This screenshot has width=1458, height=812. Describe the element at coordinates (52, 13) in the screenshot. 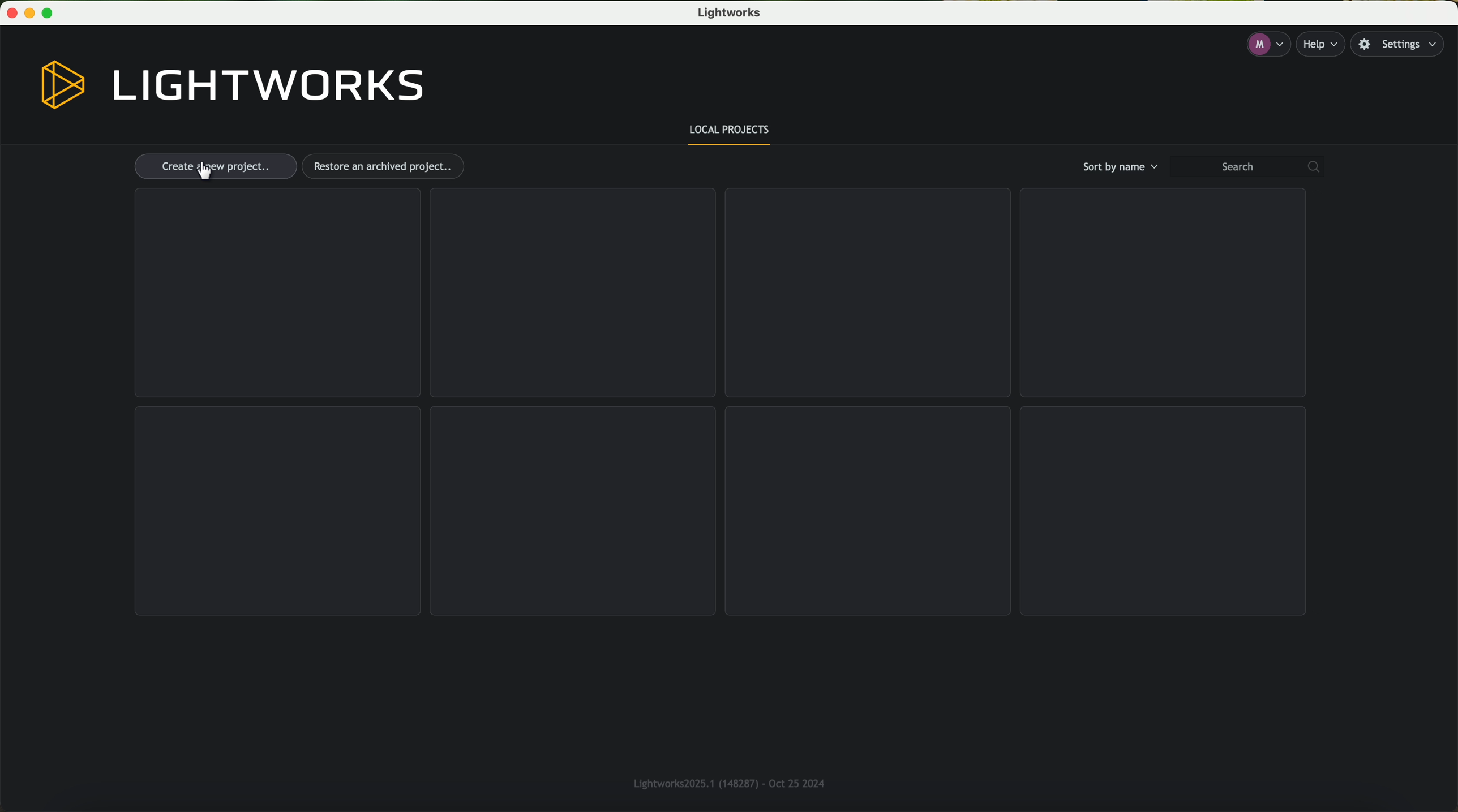

I see `maximize` at that location.